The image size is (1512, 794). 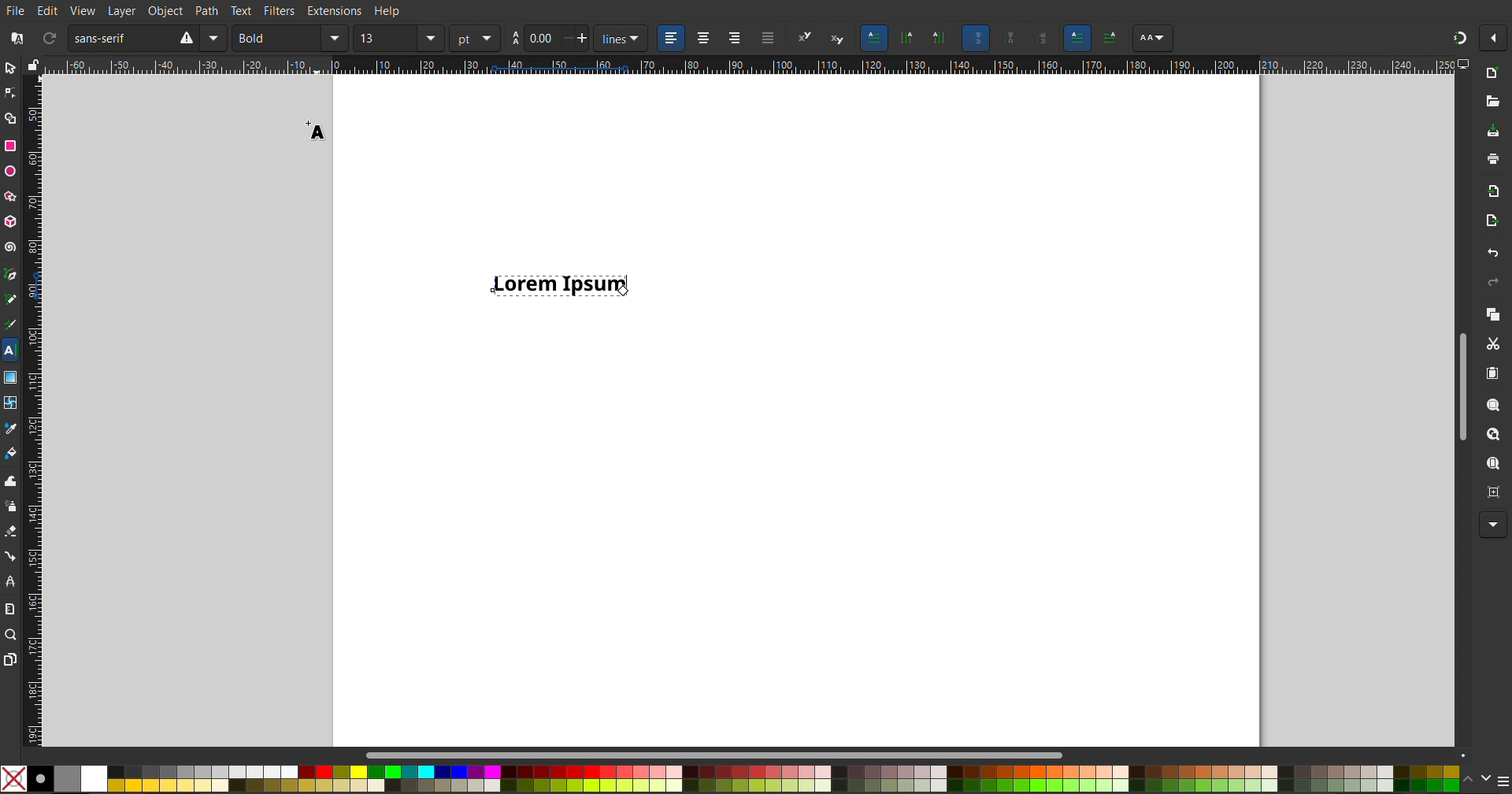 What do you see at coordinates (1489, 525) in the screenshot?
I see `More` at bounding box center [1489, 525].